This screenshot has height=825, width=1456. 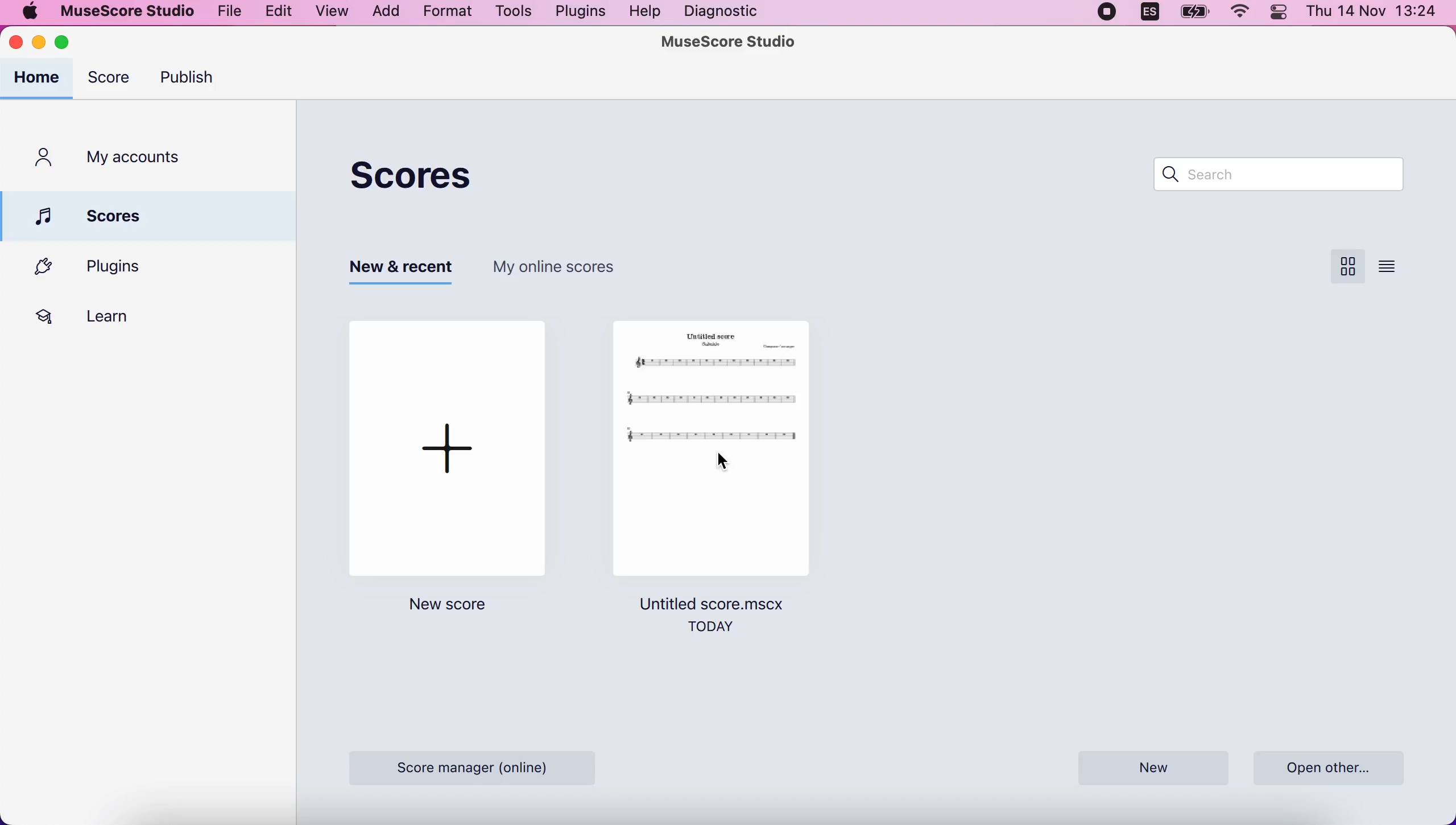 I want to click on scores, so click(x=149, y=216).